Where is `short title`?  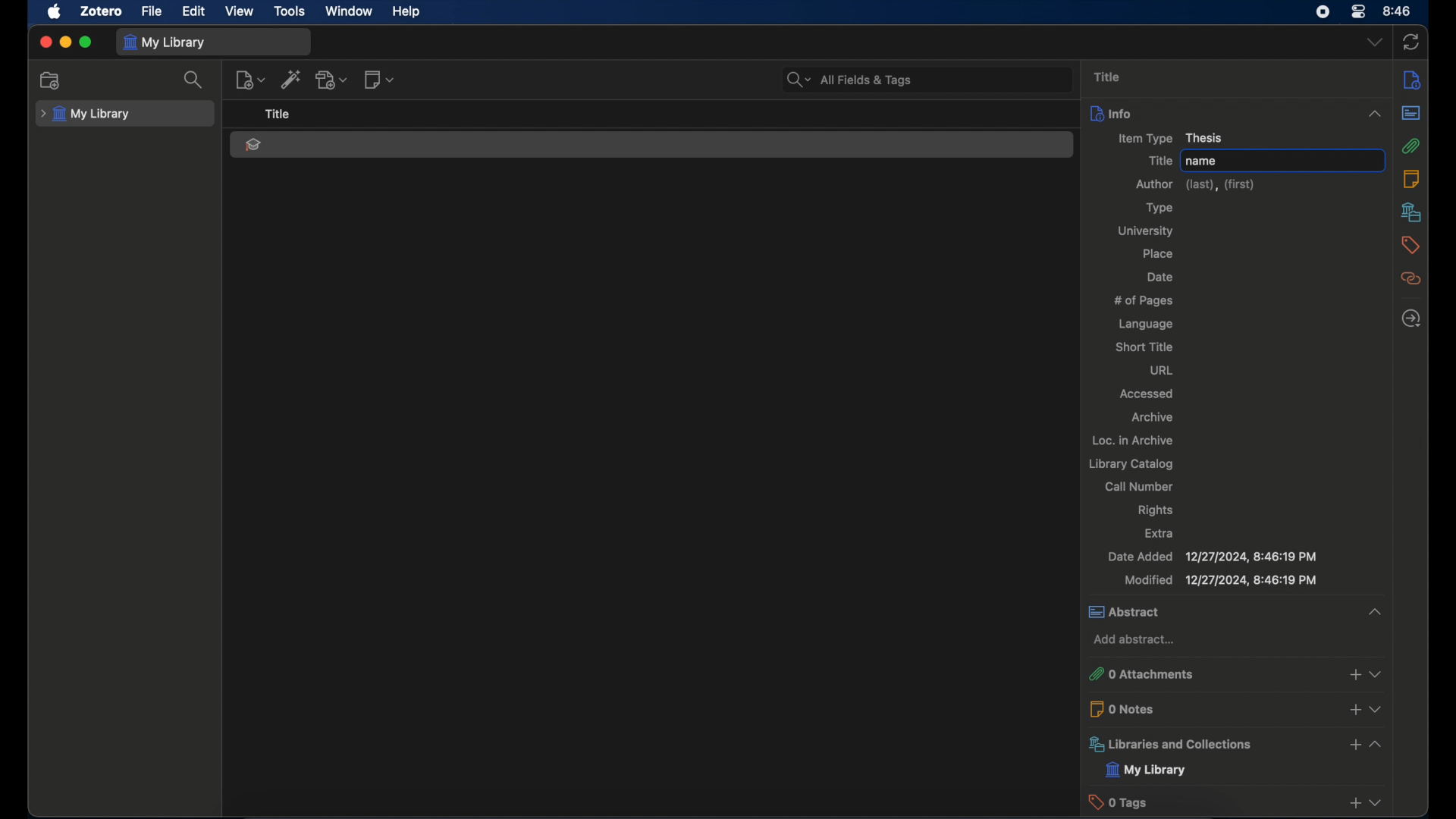 short title is located at coordinates (1143, 347).